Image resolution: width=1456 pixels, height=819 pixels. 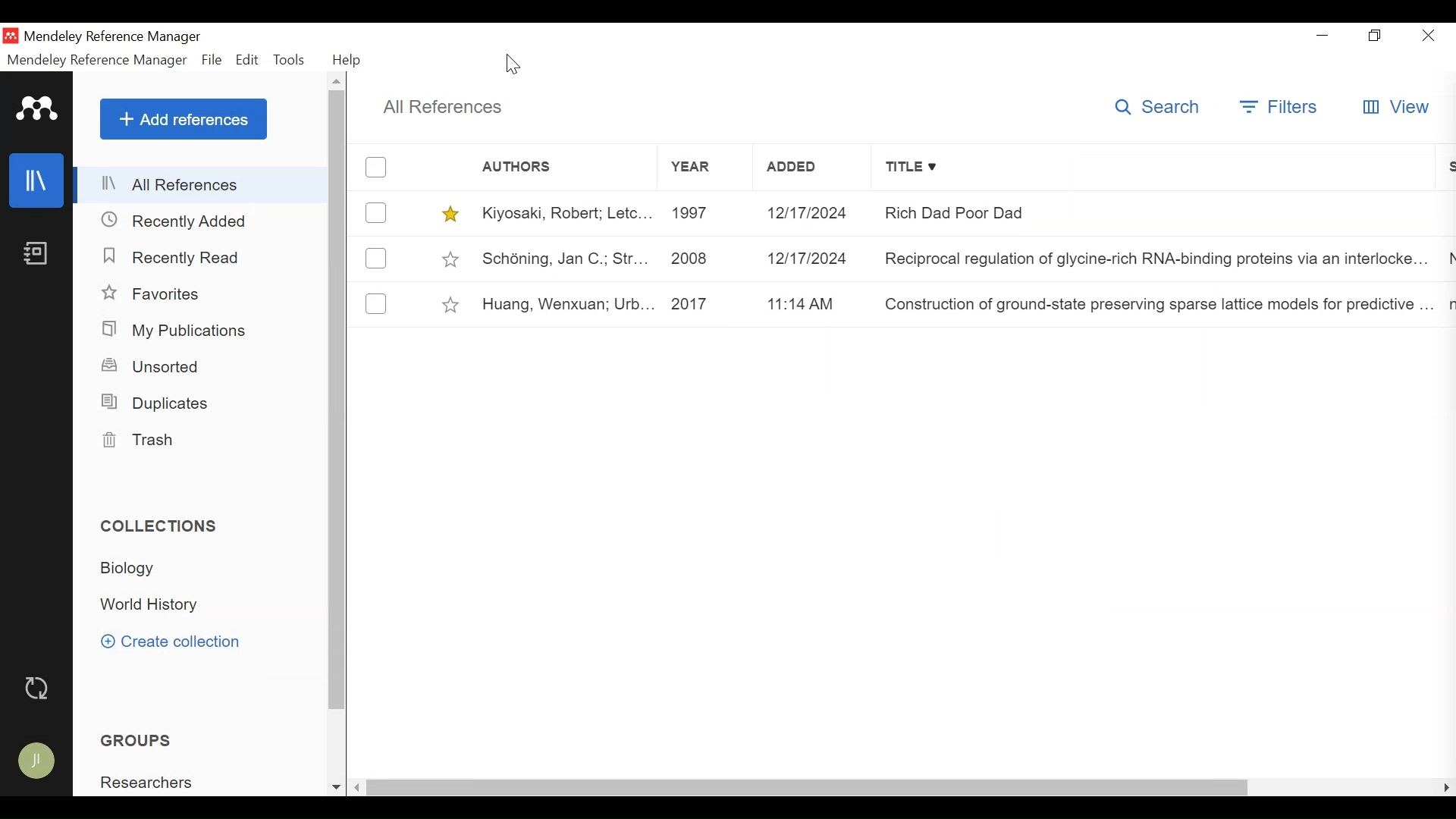 What do you see at coordinates (177, 642) in the screenshot?
I see `Create collection` at bounding box center [177, 642].